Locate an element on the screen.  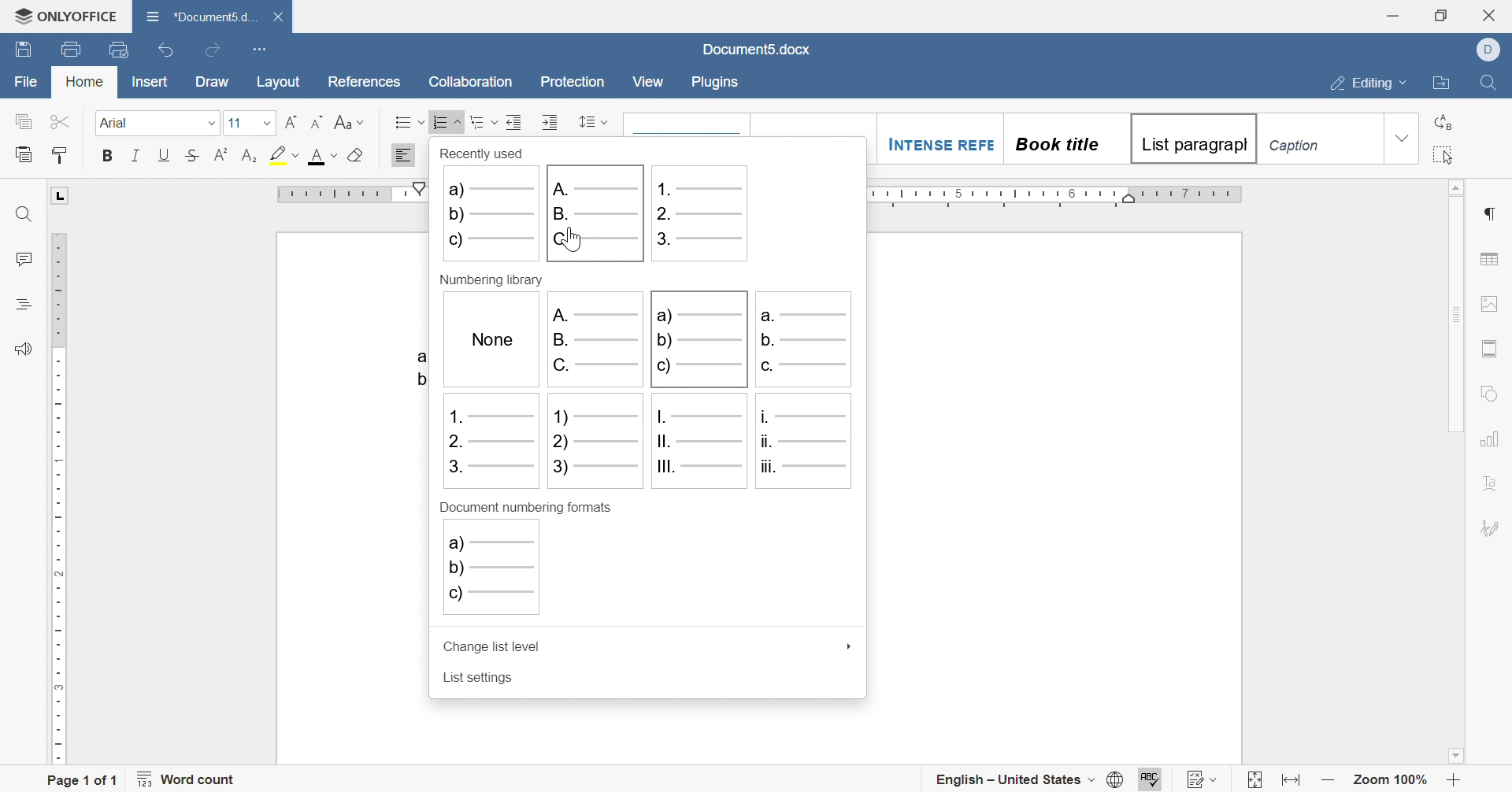
number alignment is located at coordinates (609, 217).